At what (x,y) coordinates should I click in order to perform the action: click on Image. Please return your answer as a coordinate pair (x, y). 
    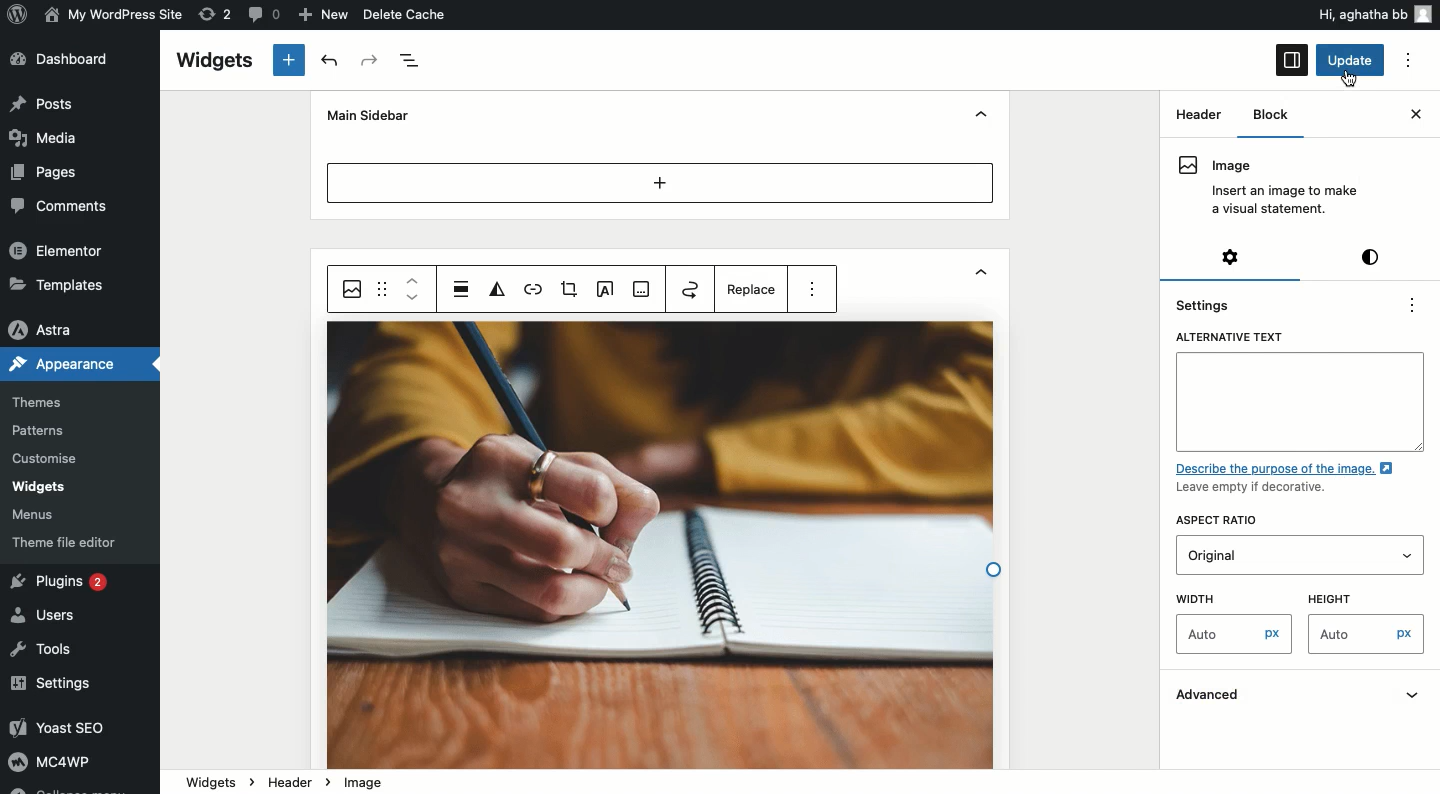
    Looking at the image, I should click on (353, 289).